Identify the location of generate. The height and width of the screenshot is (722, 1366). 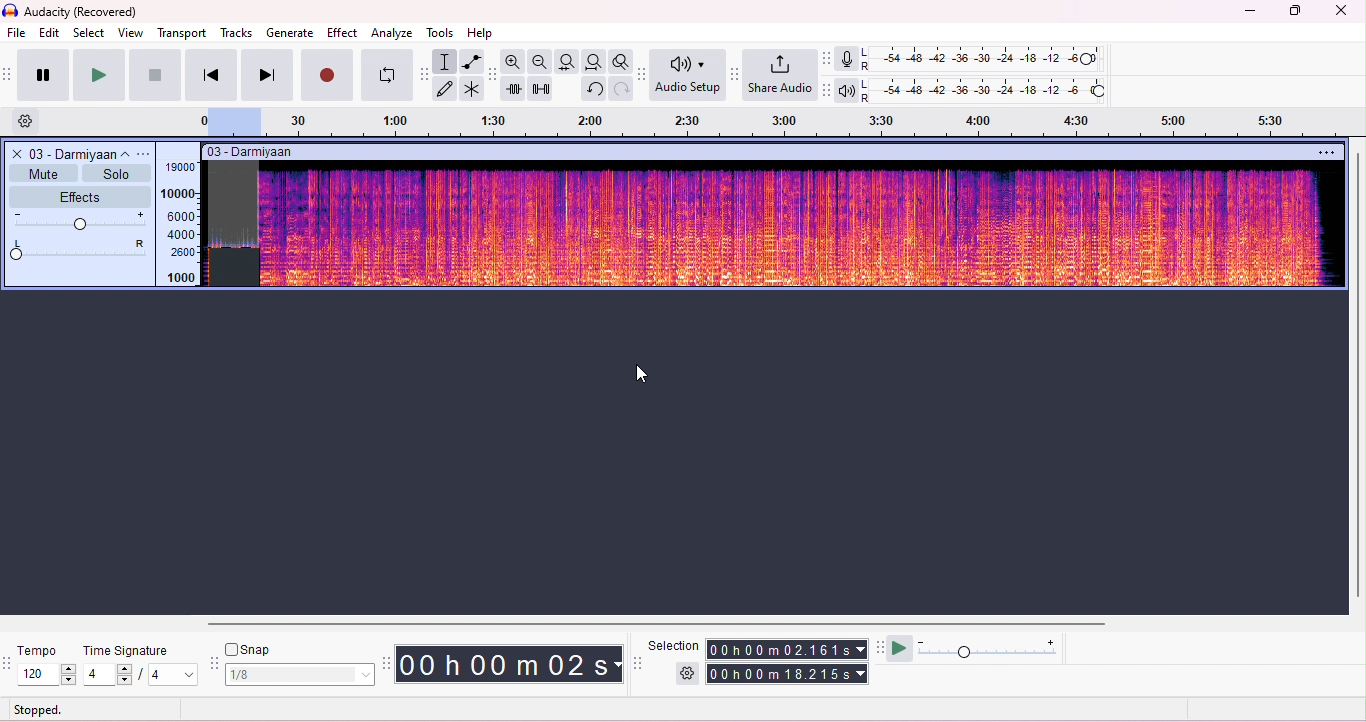
(291, 33).